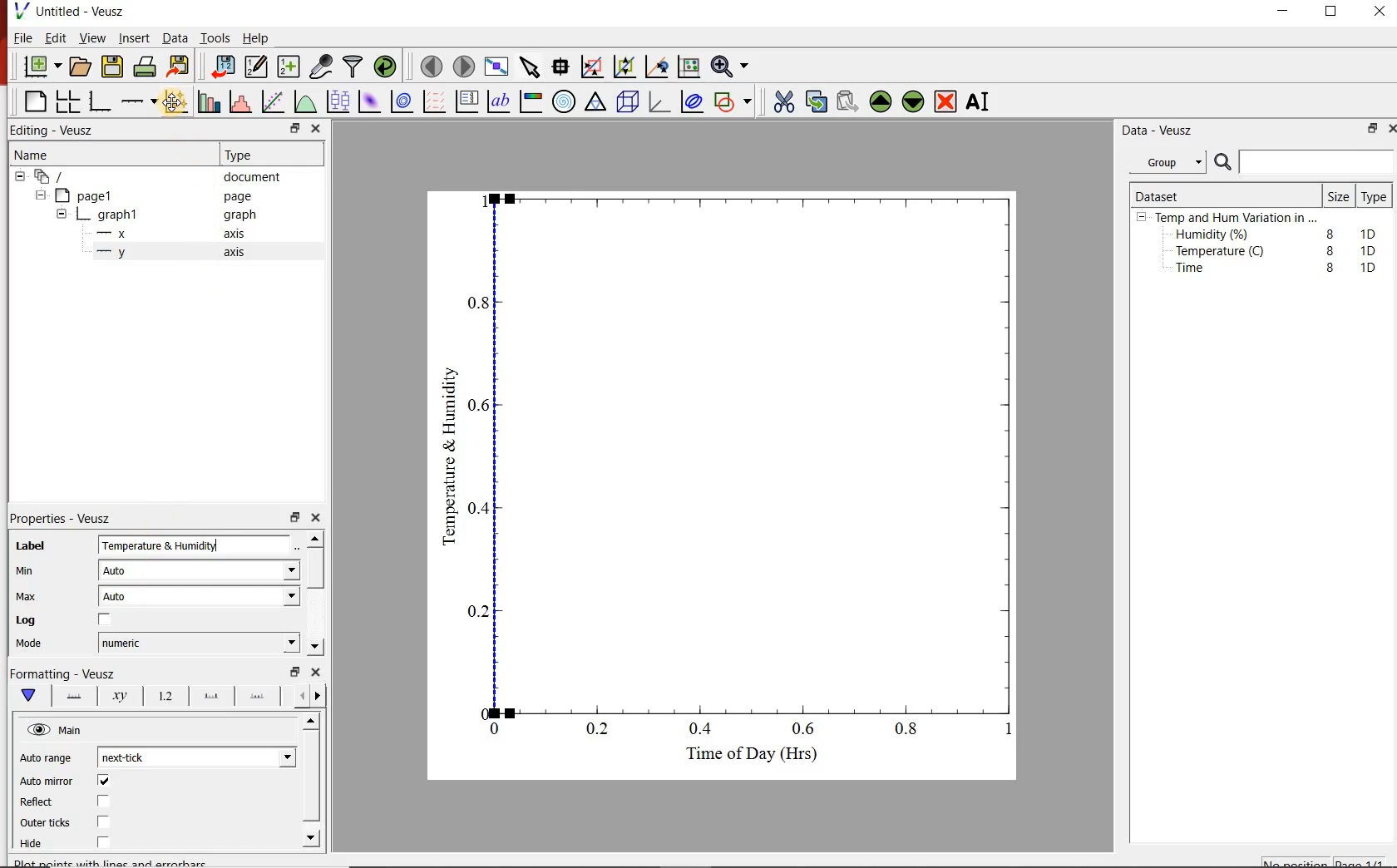 This screenshot has width=1397, height=868. I want to click on Outer ticks, so click(81, 824).